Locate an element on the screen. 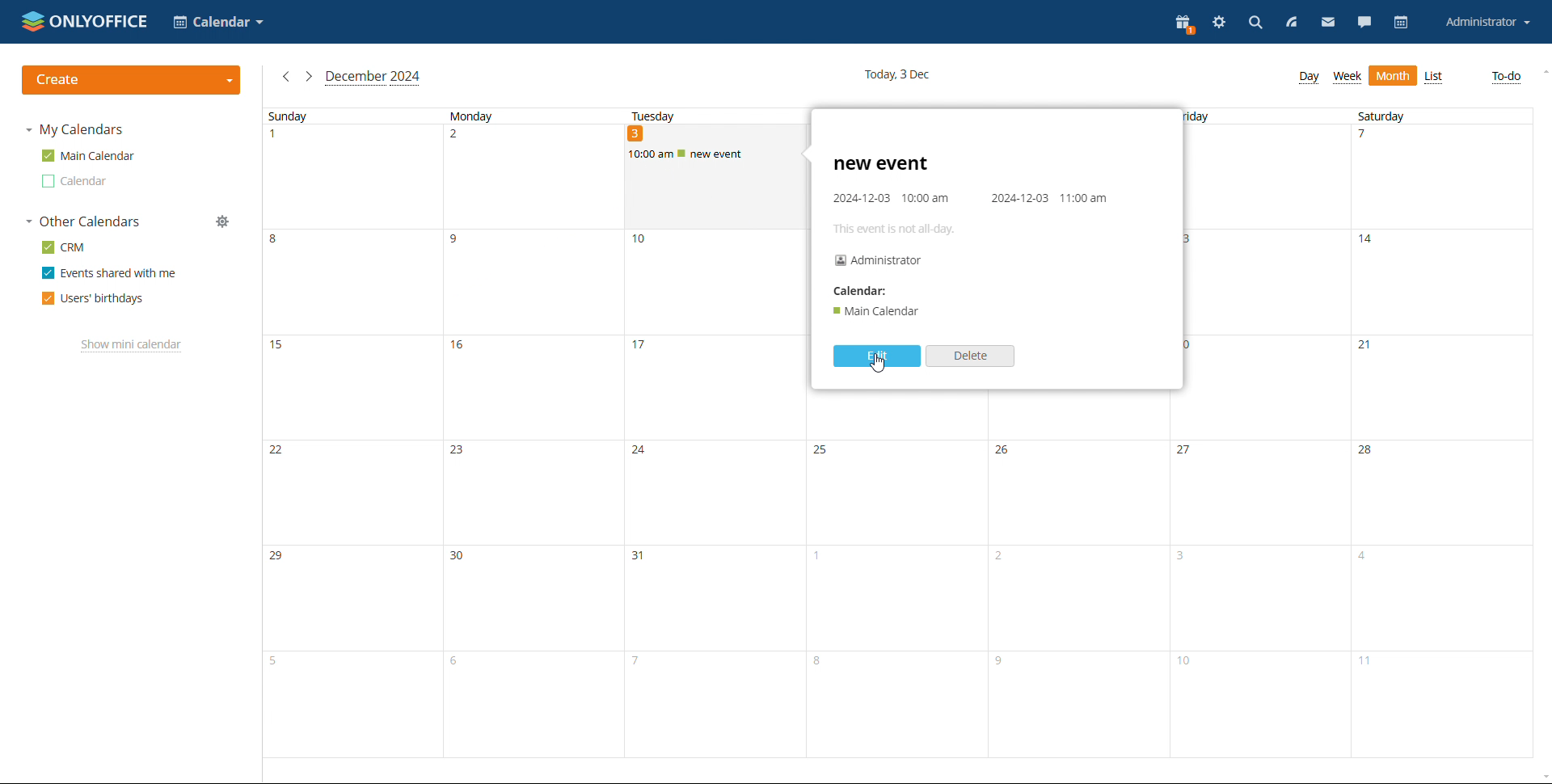  3 is located at coordinates (713, 205).